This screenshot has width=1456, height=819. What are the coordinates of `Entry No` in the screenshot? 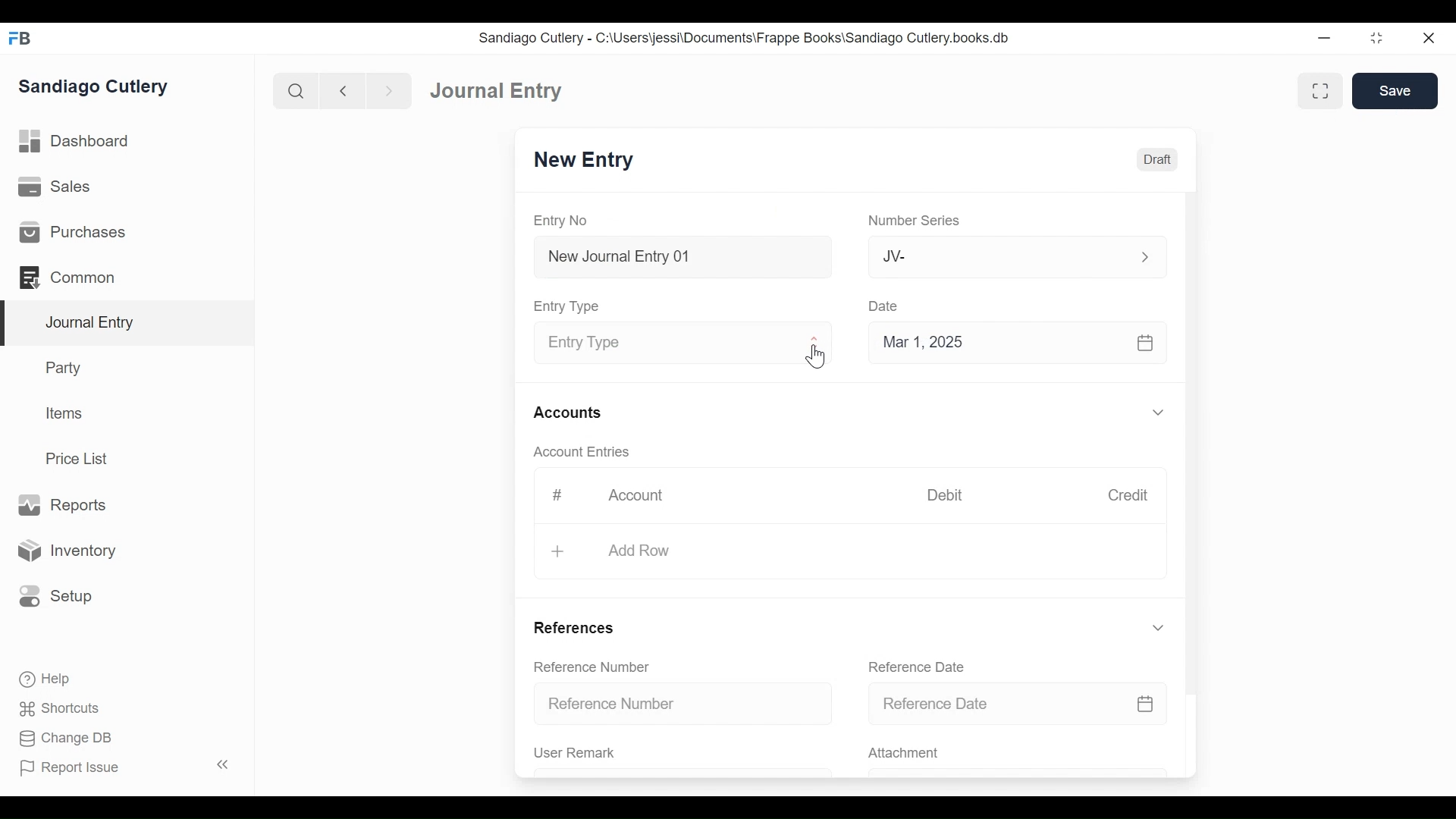 It's located at (566, 221).